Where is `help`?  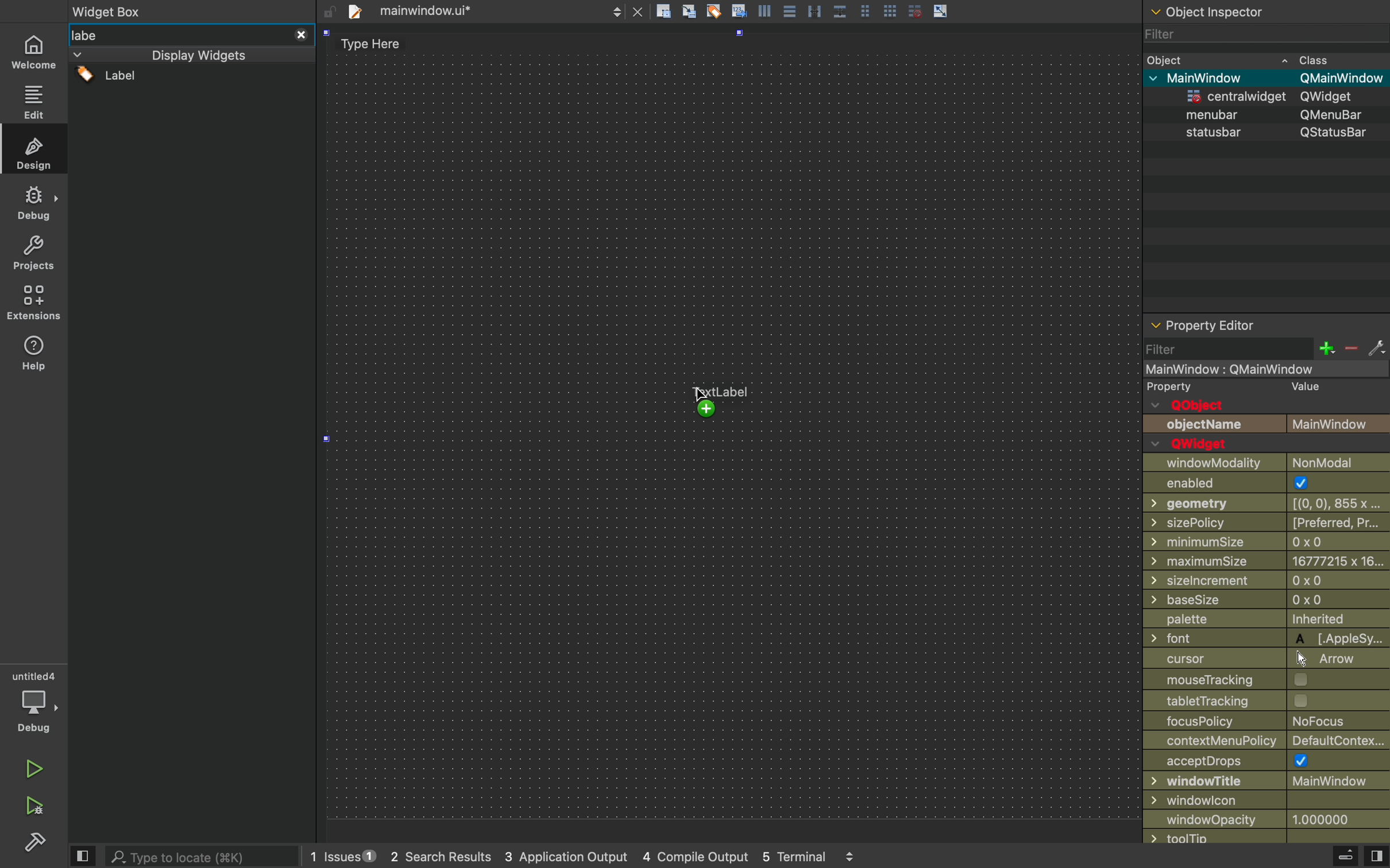 help is located at coordinates (34, 356).